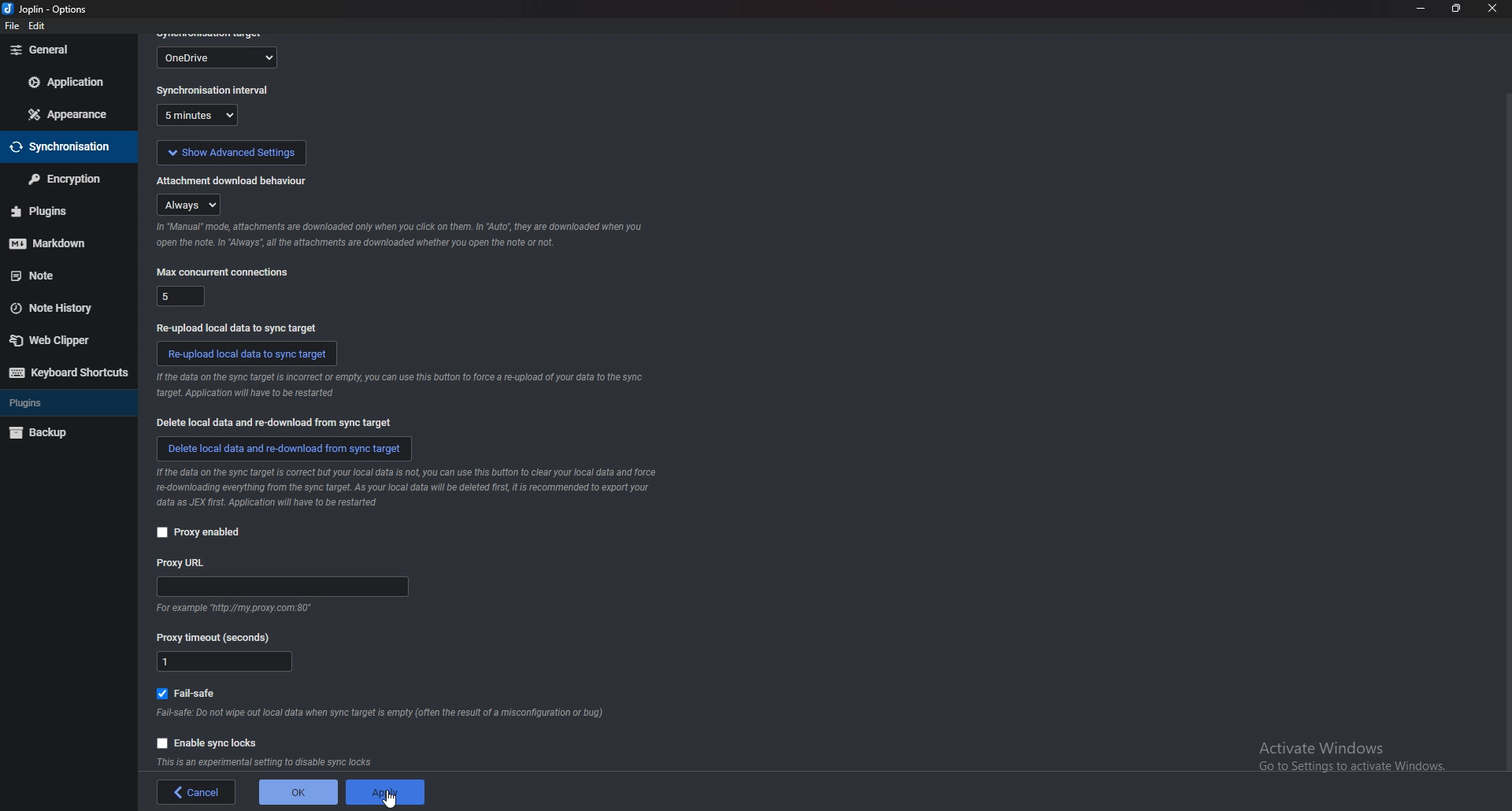 Image resolution: width=1512 pixels, height=811 pixels. What do you see at coordinates (279, 423) in the screenshot?
I see `delete local data` at bounding box center [279, 423].